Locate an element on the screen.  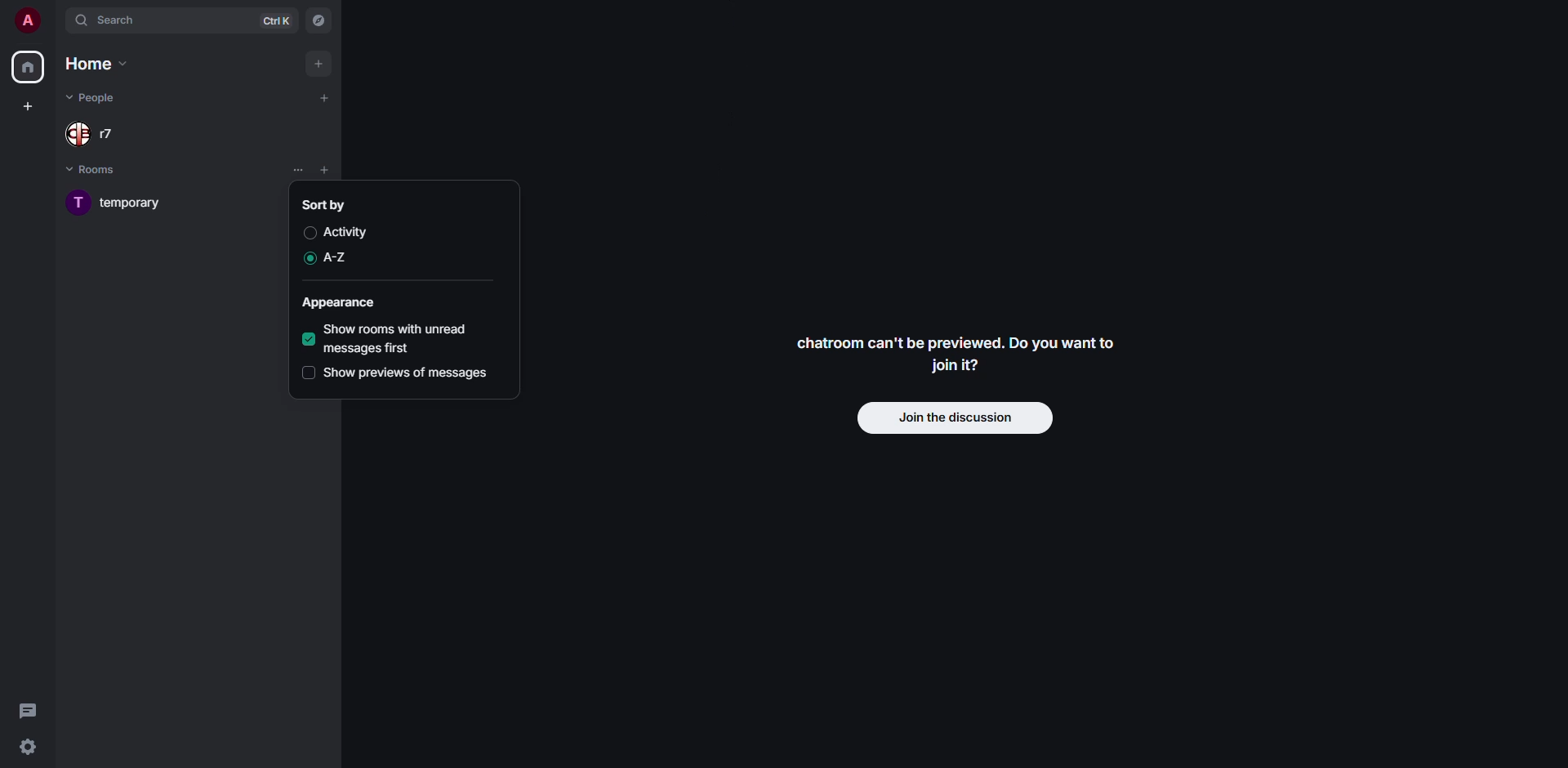
threads is located at coordinates (31, 712).